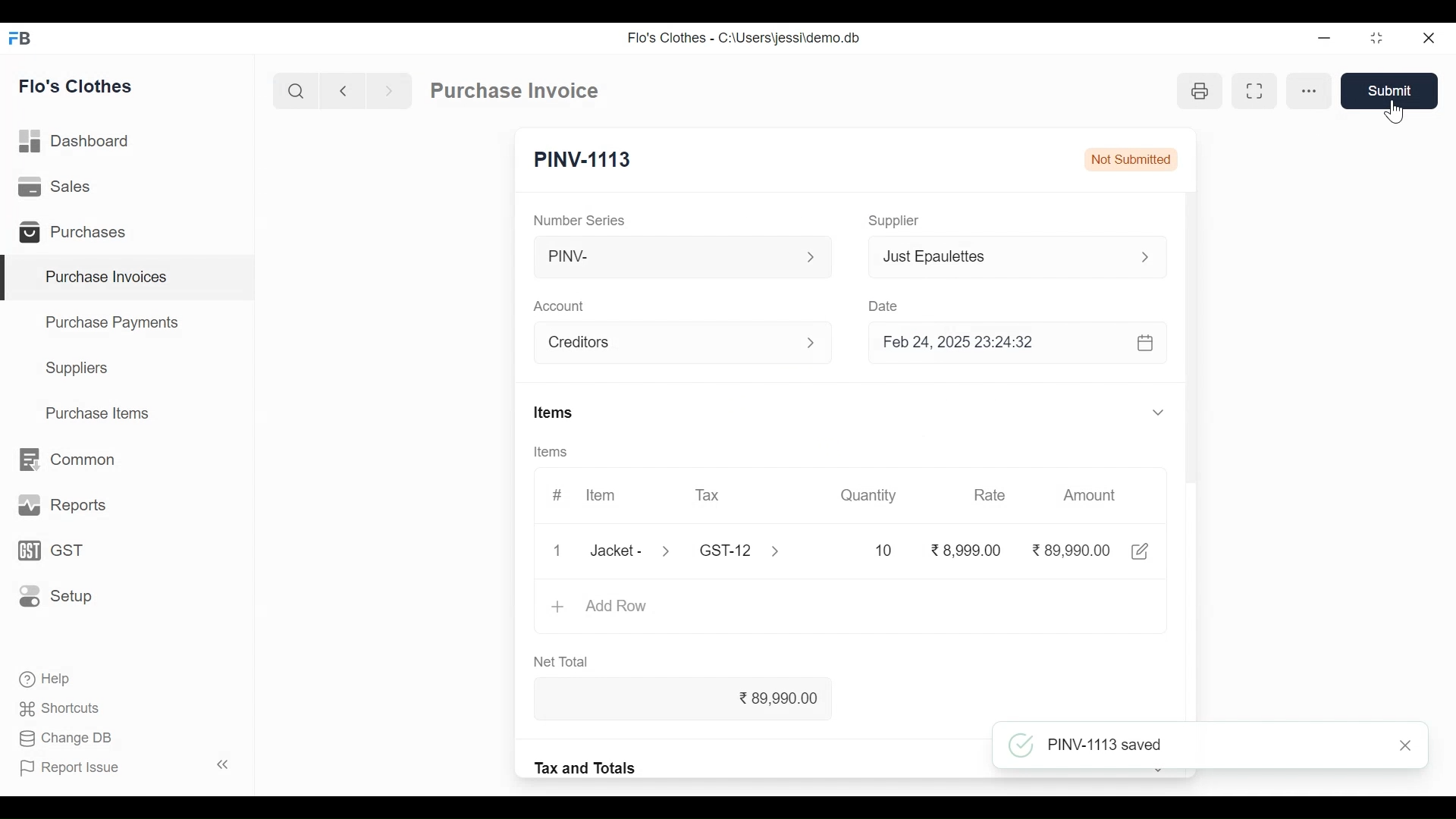  What do you see at coordinates (1395, 91) in the screenshot?
I see `Save` at bounding box center [1395, 91].